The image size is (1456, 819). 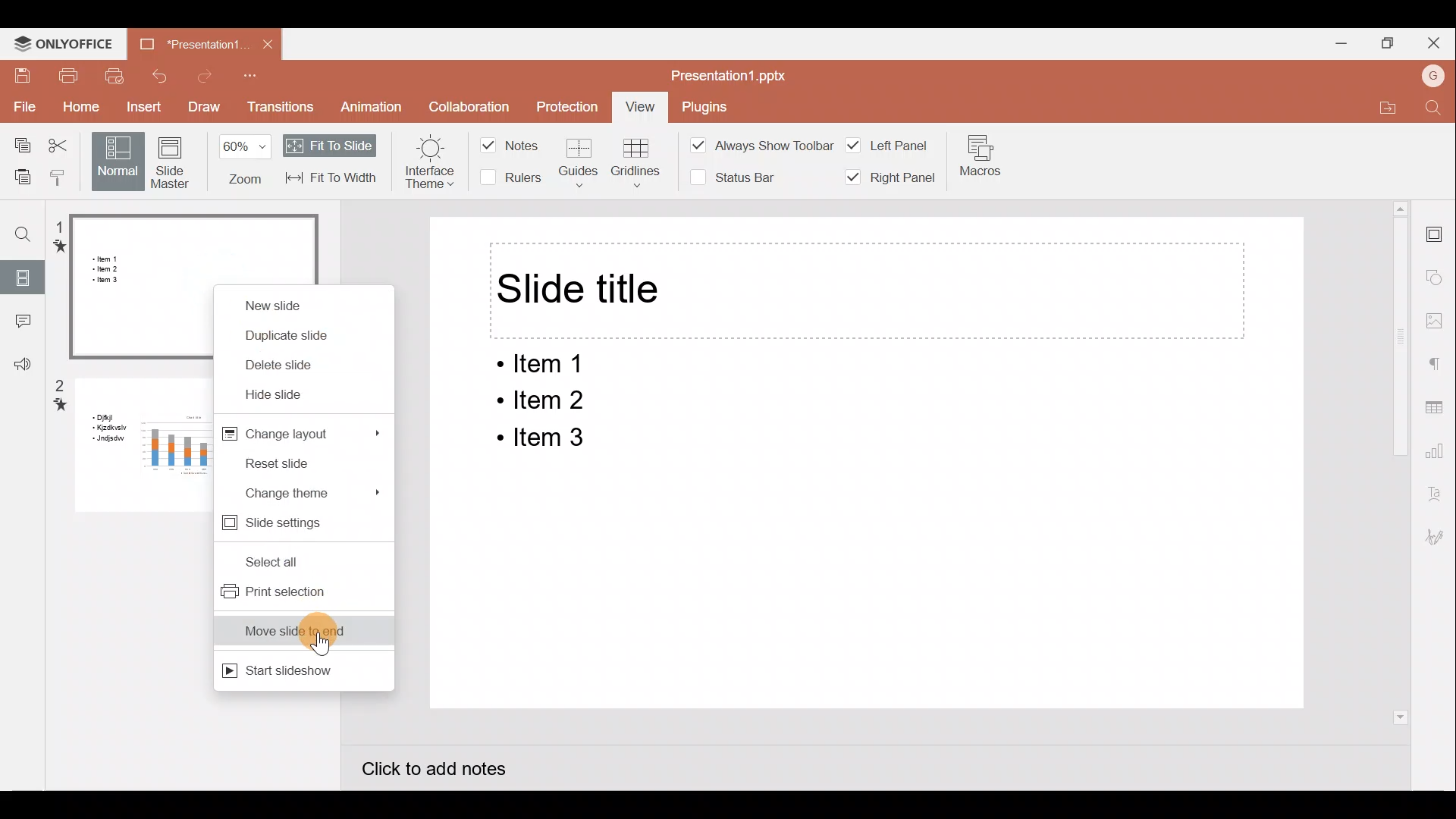 What do you see at coordinates (191, 45) in the screenshot?
I see `Presentation1.` at bounding box center [191, 45].